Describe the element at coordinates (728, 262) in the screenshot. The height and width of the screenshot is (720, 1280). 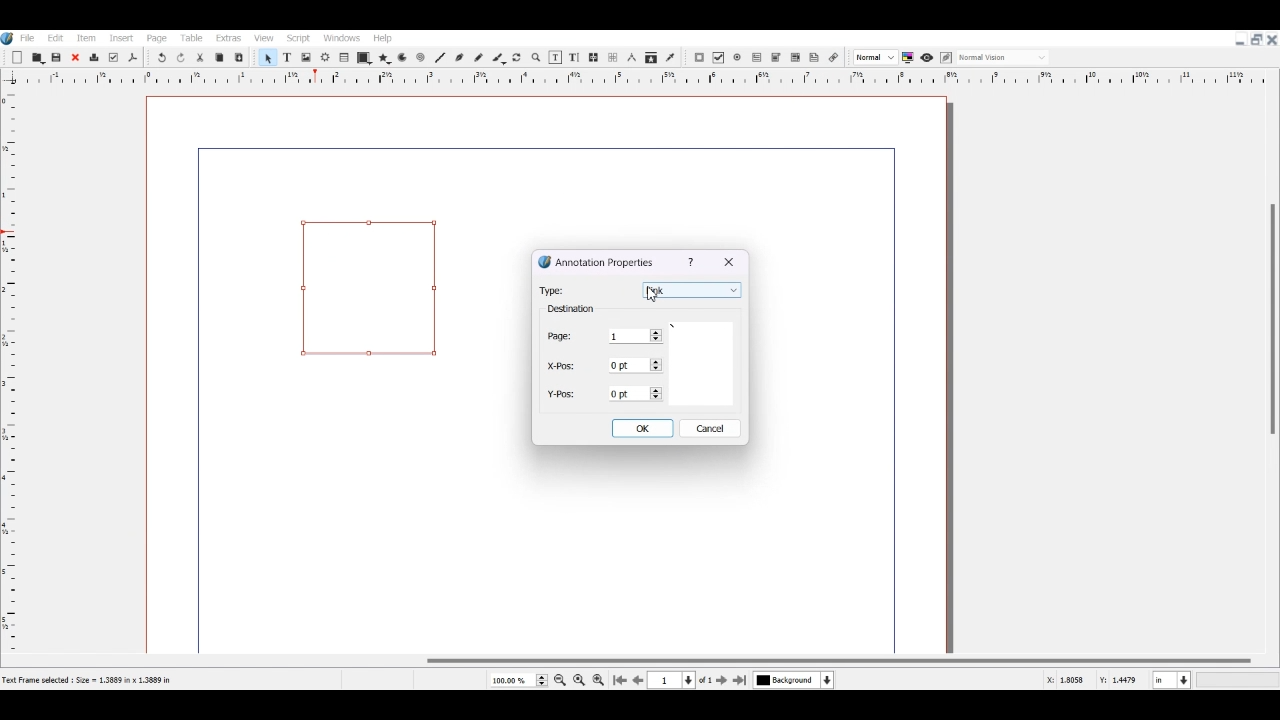
I see `Close` at that location.